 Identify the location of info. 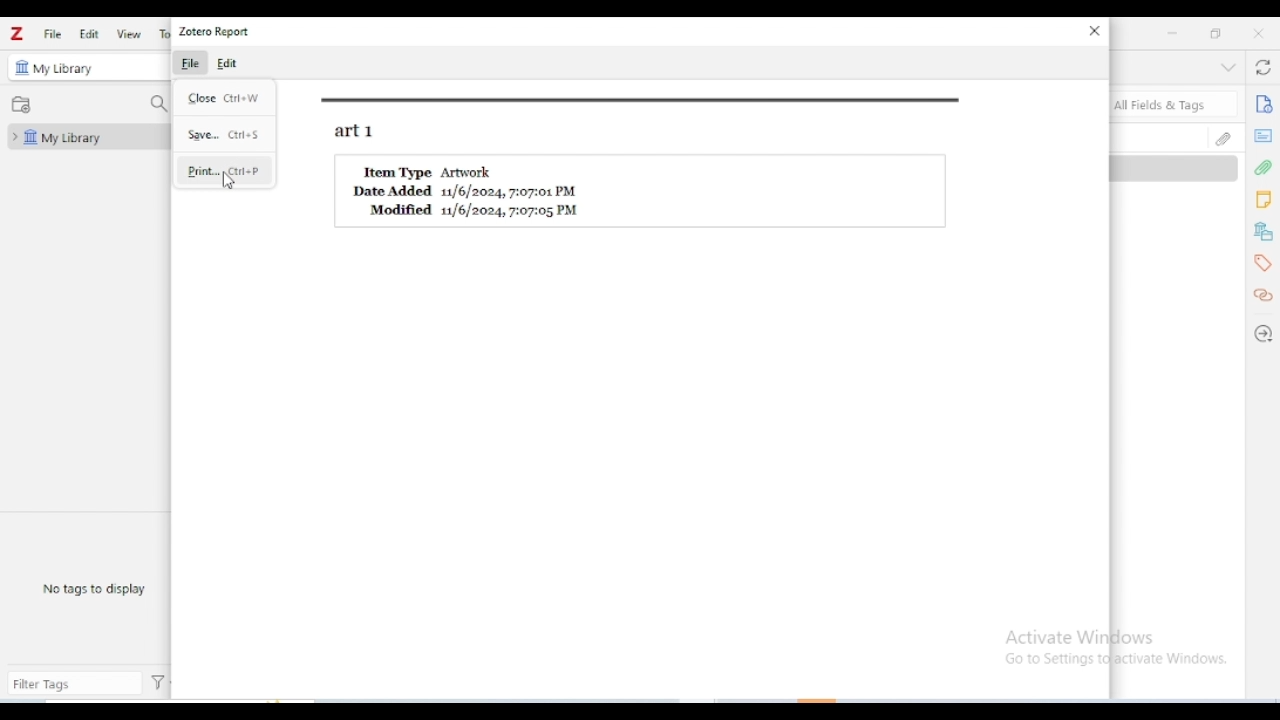
(1264, 104).